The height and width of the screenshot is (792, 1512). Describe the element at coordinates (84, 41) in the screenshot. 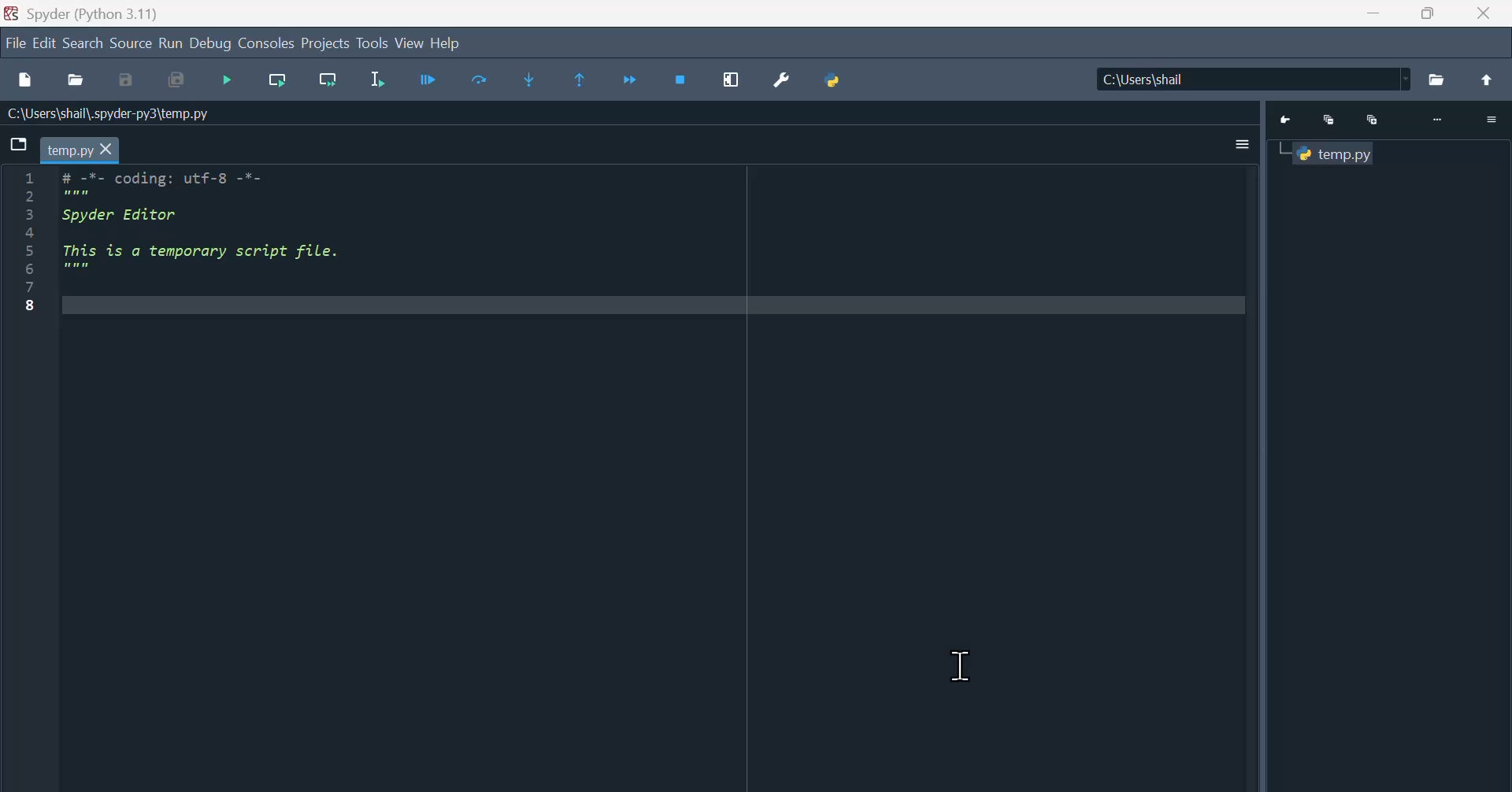

I see `Search` at that location.